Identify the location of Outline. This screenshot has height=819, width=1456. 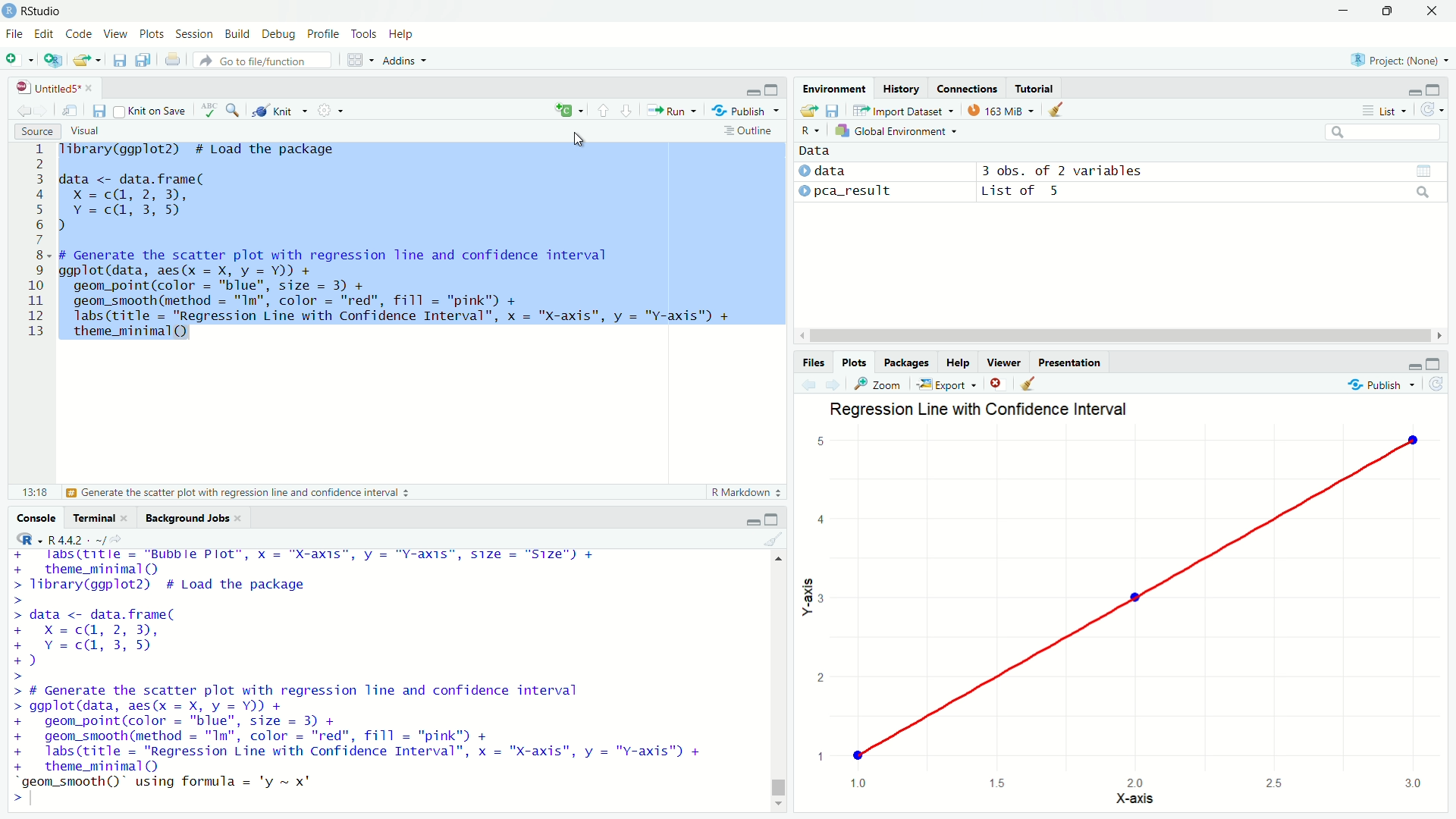
(750, 130).